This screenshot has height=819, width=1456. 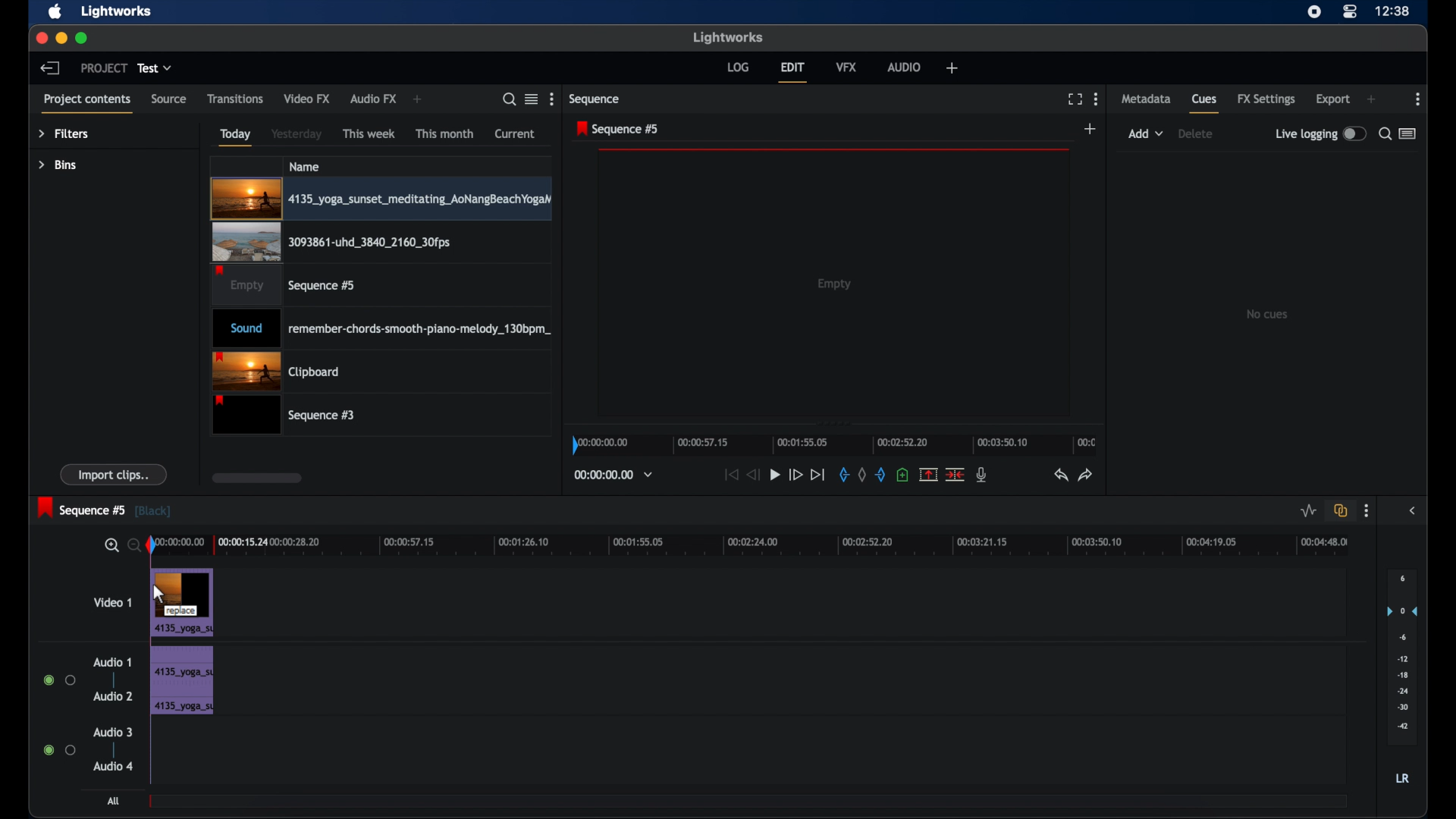 I want to click on add, so click(x=1091, y=128).